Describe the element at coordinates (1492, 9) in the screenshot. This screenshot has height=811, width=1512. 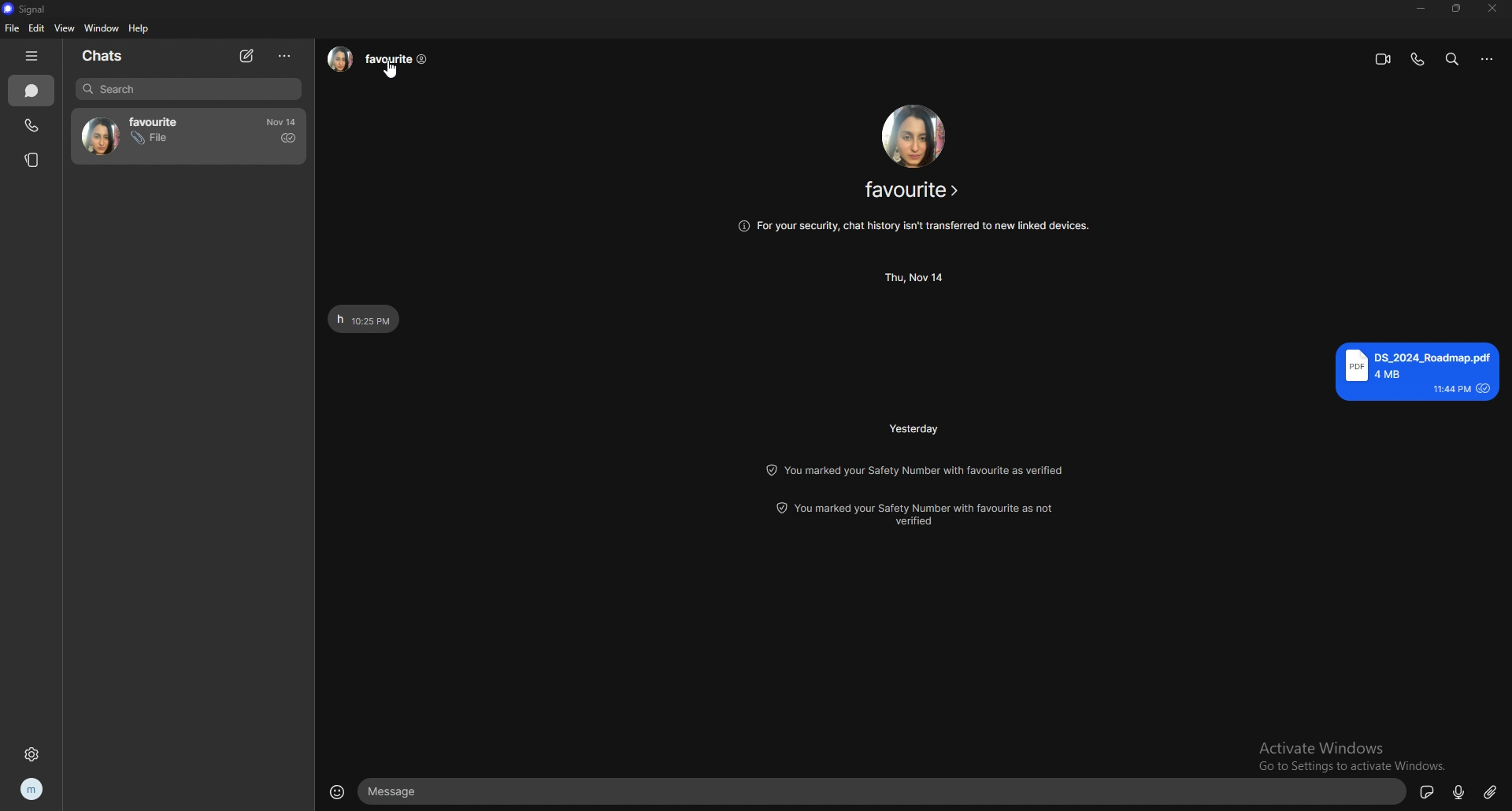
I see `close` at that location.